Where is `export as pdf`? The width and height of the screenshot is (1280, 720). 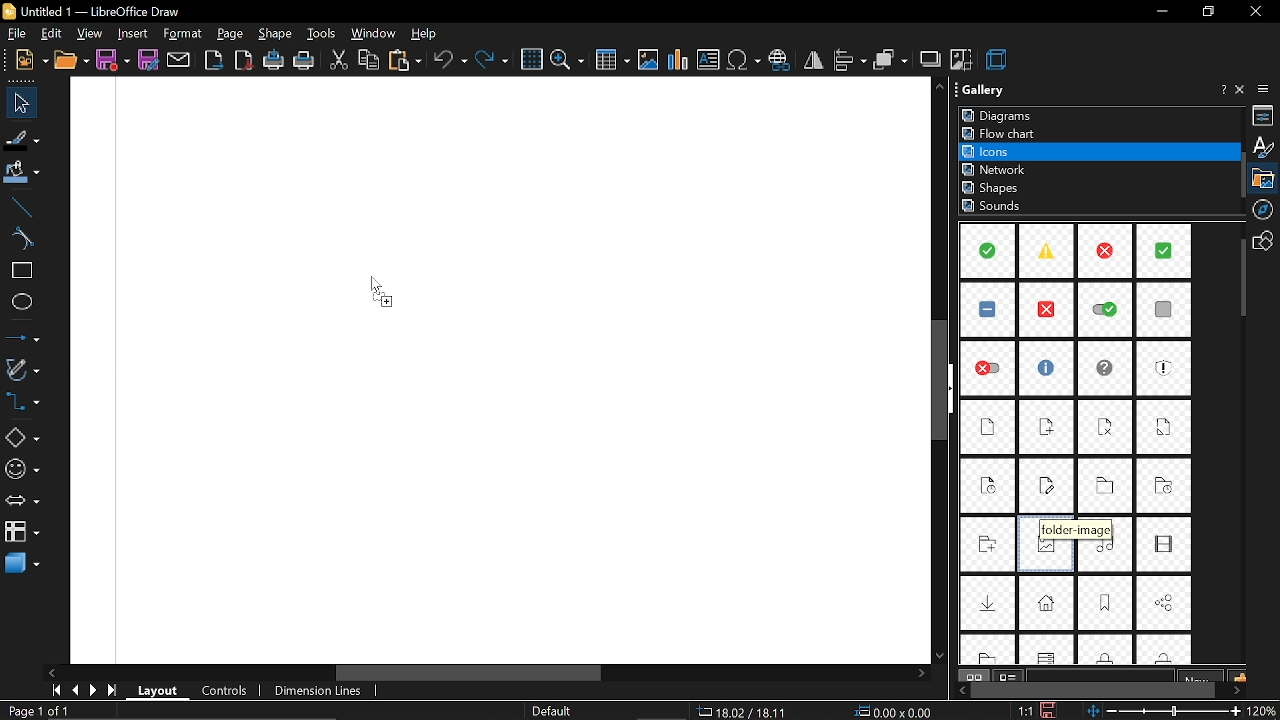
export as pdf is located at coordinates (244, 59).